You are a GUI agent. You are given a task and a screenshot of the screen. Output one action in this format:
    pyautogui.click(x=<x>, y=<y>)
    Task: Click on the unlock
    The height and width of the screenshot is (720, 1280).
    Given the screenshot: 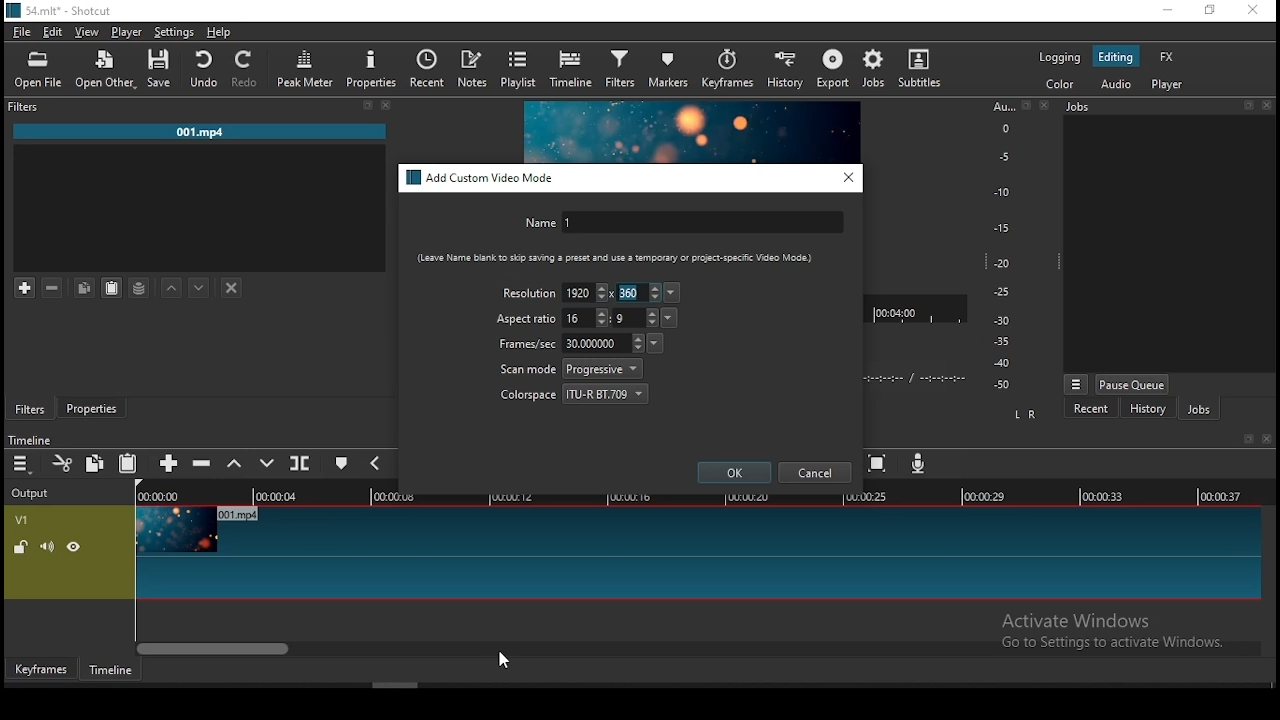 What is the action you would take?
    pyautogui.click(x=20, y=549)
    